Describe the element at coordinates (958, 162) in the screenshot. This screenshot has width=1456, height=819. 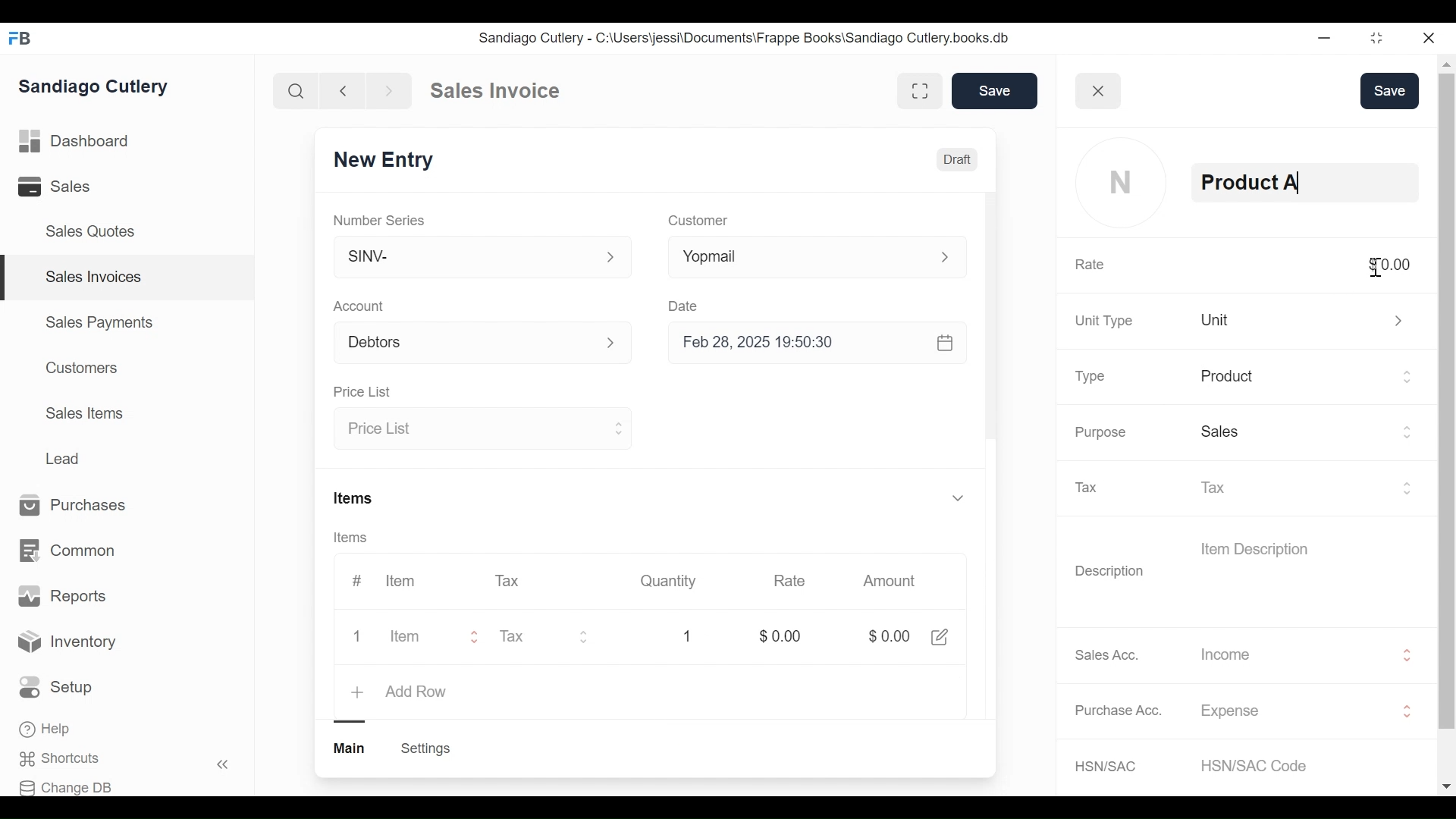
I see `Draft` at that location.